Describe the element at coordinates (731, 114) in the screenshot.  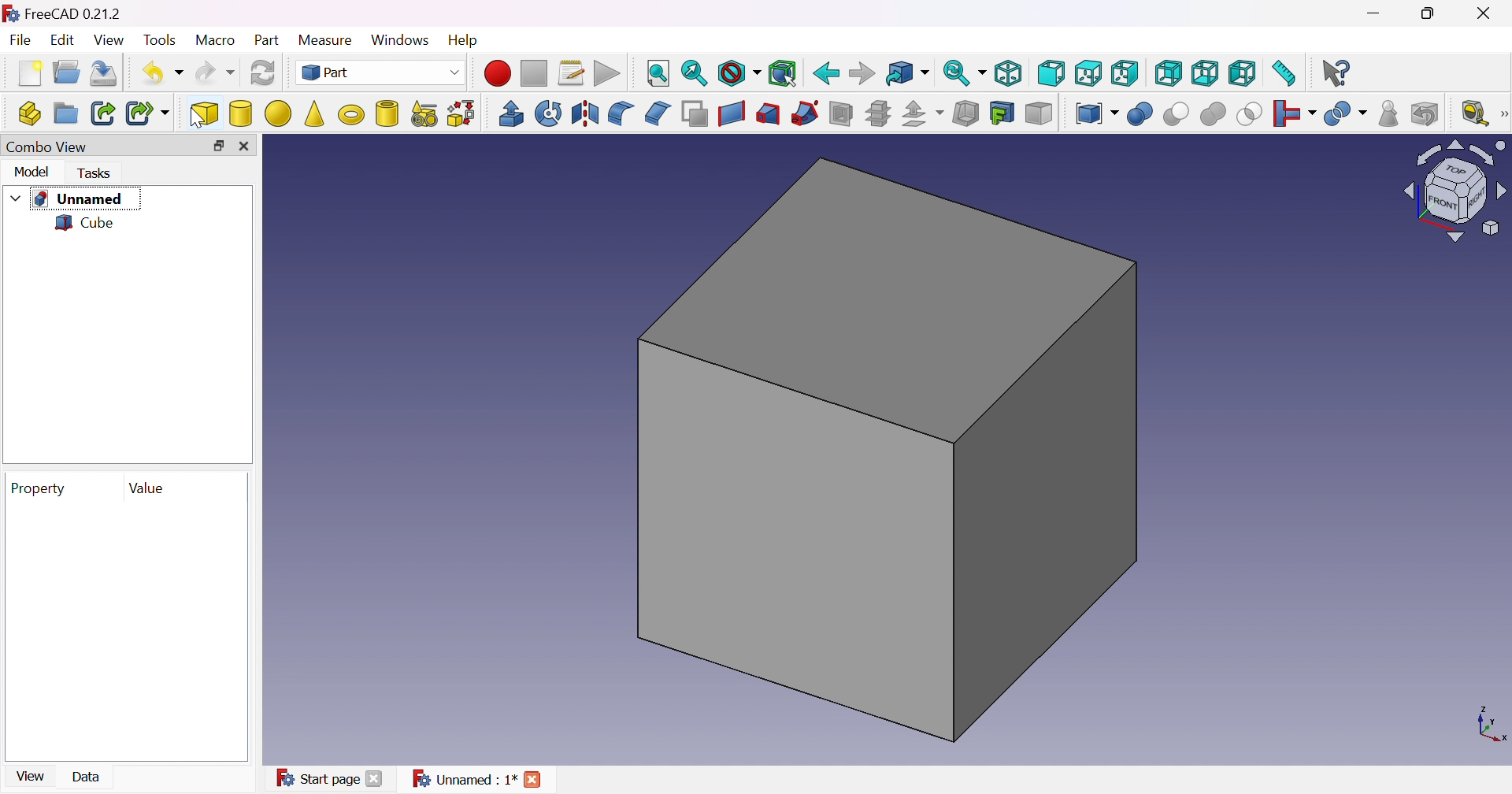
I see `Create ruled surface` at that location.